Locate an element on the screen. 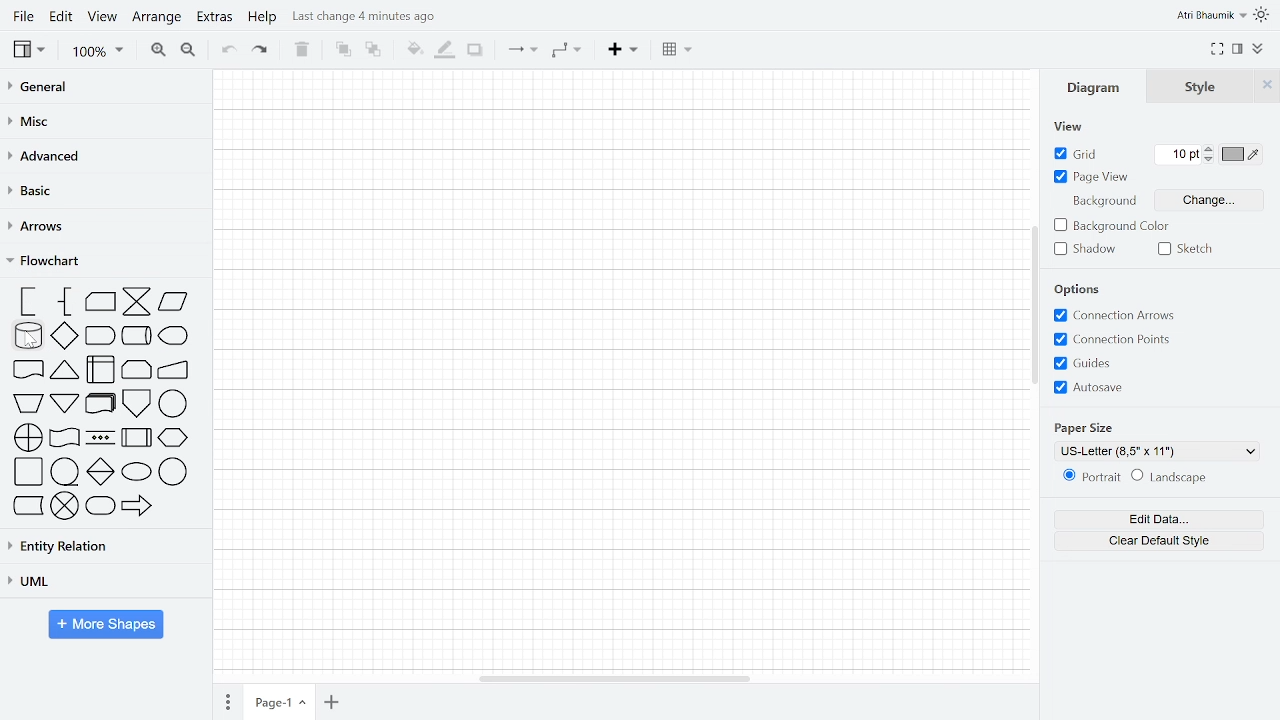  collate is located at coordinates (137, 303).